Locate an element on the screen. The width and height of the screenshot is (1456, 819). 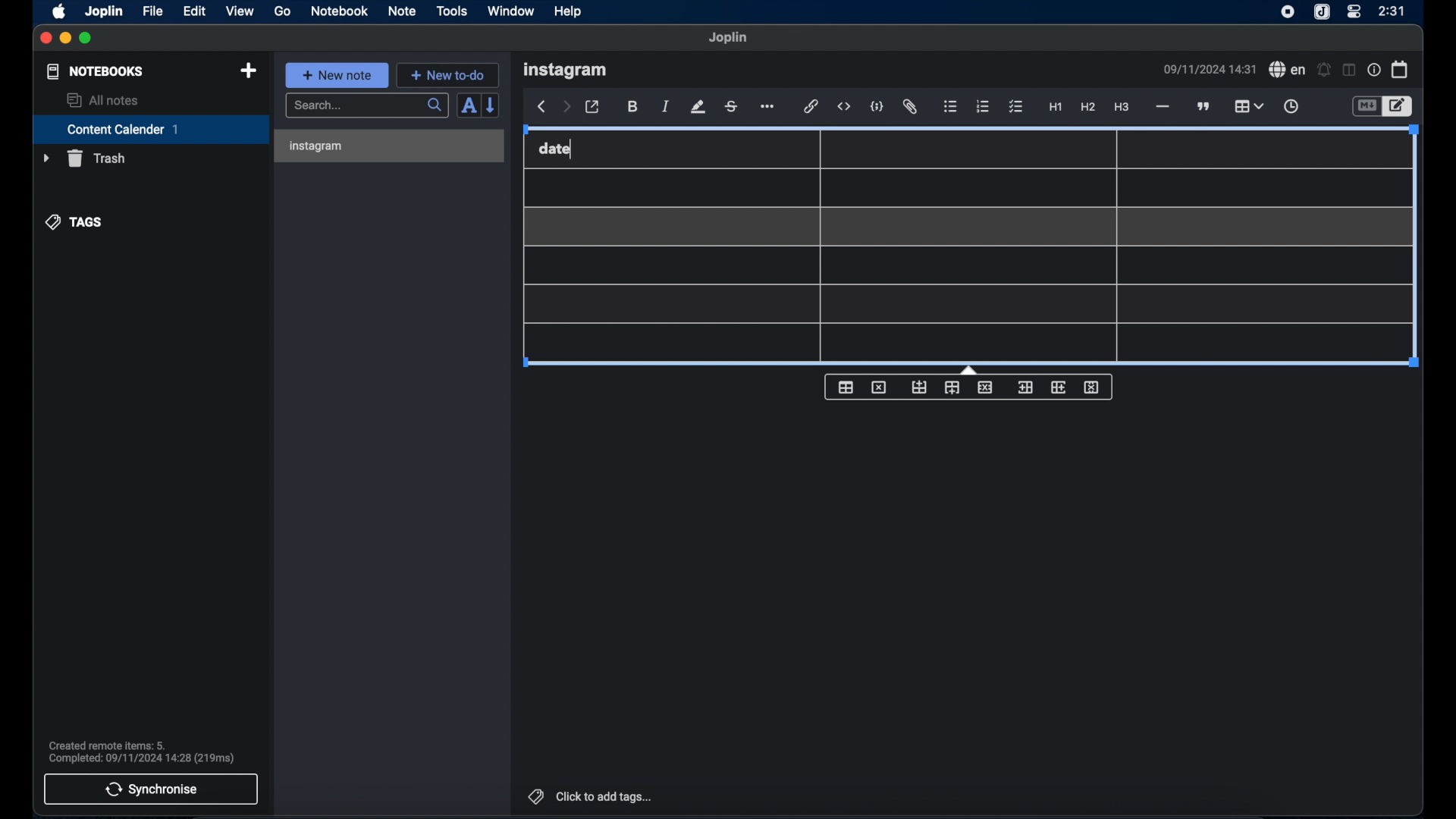
apple icon is located at coordinates (60, 12).